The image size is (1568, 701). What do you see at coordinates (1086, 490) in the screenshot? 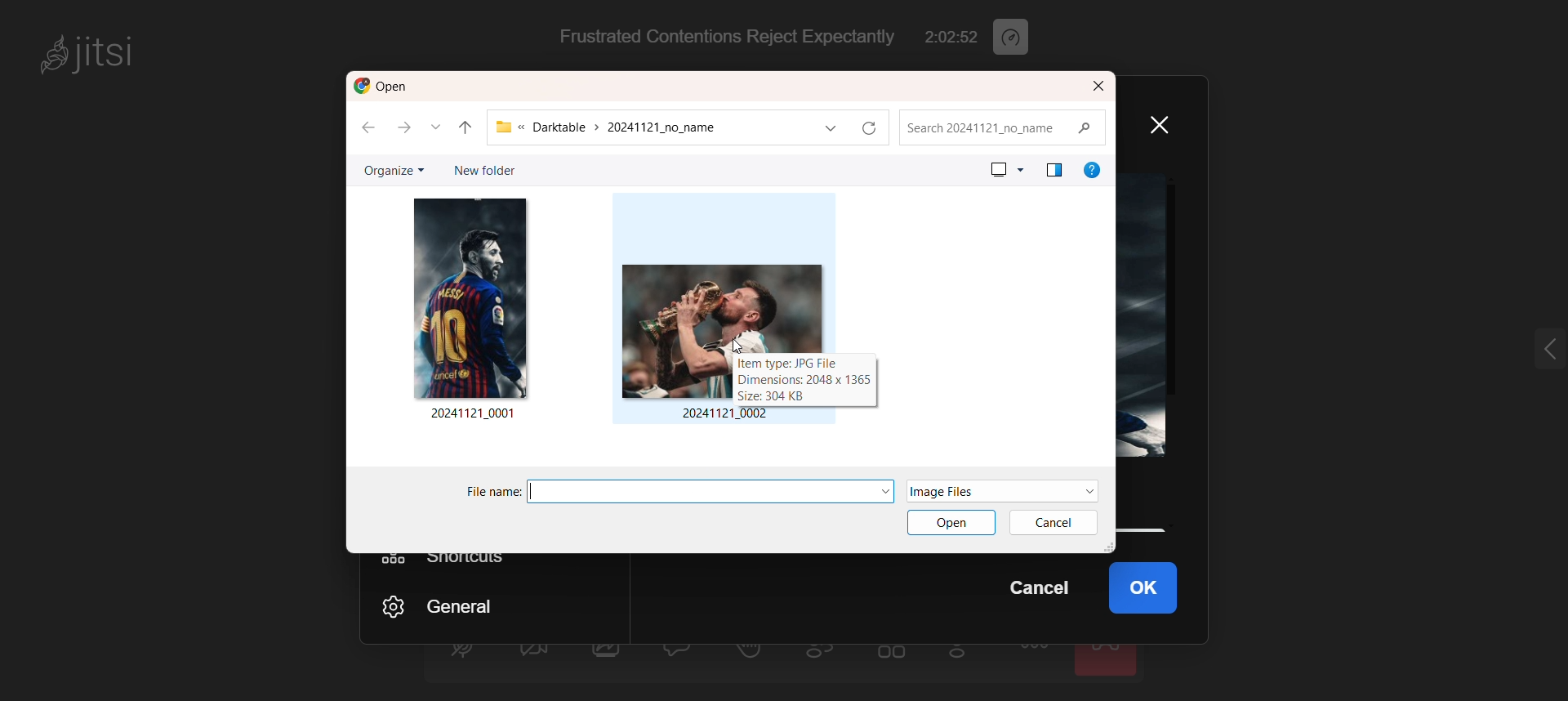
I see `dropdown` at bounding box center [1086, 490].